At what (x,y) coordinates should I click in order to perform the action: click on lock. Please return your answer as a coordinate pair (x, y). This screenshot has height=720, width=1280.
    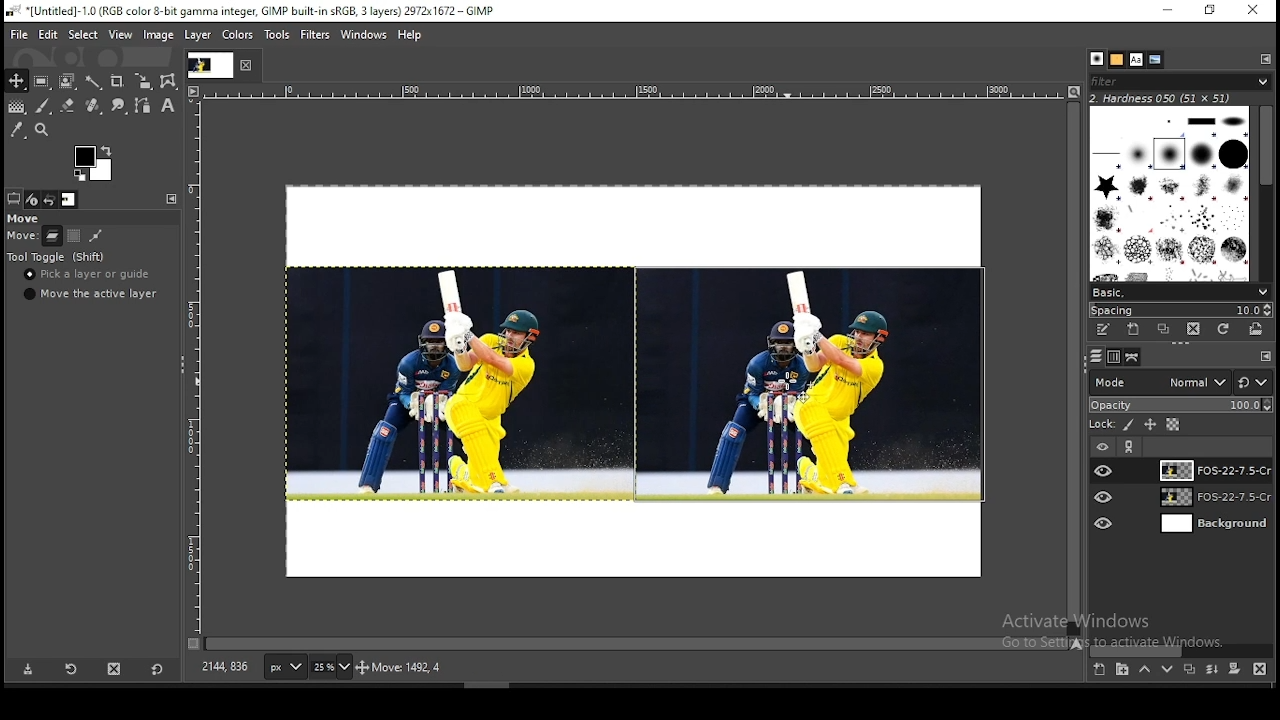
    Looking at the image, I should click on (1100, 425).